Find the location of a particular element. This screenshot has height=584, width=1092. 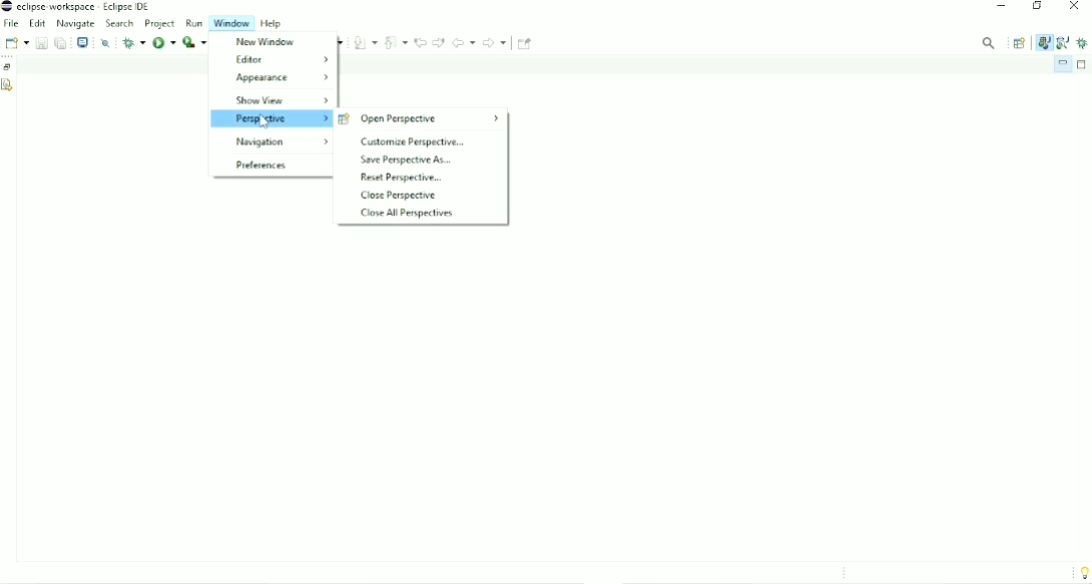

Access commands and other items is located at coordinates (988, 42).